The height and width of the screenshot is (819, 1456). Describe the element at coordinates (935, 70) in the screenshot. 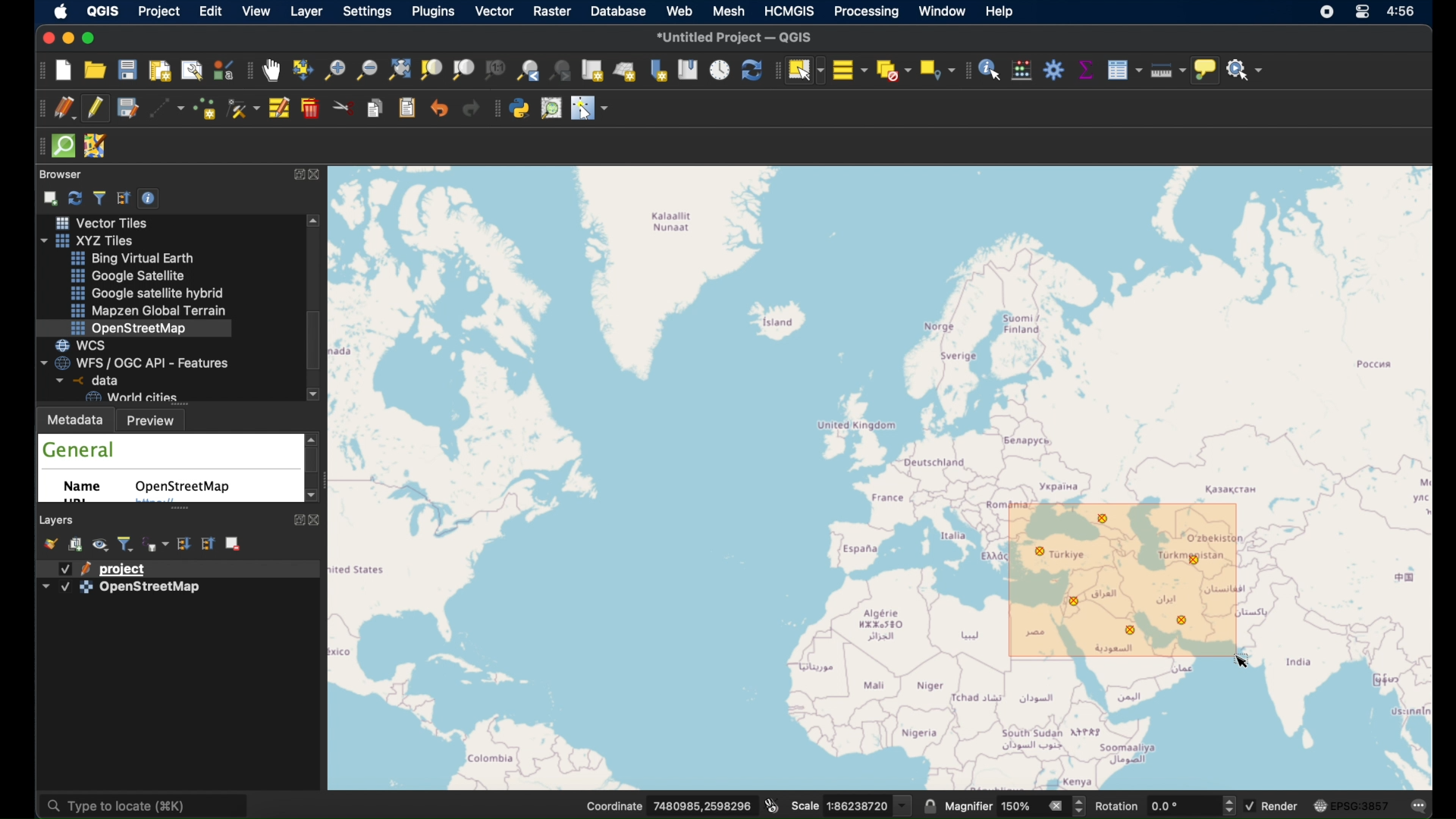

I see `select by location` at that location.